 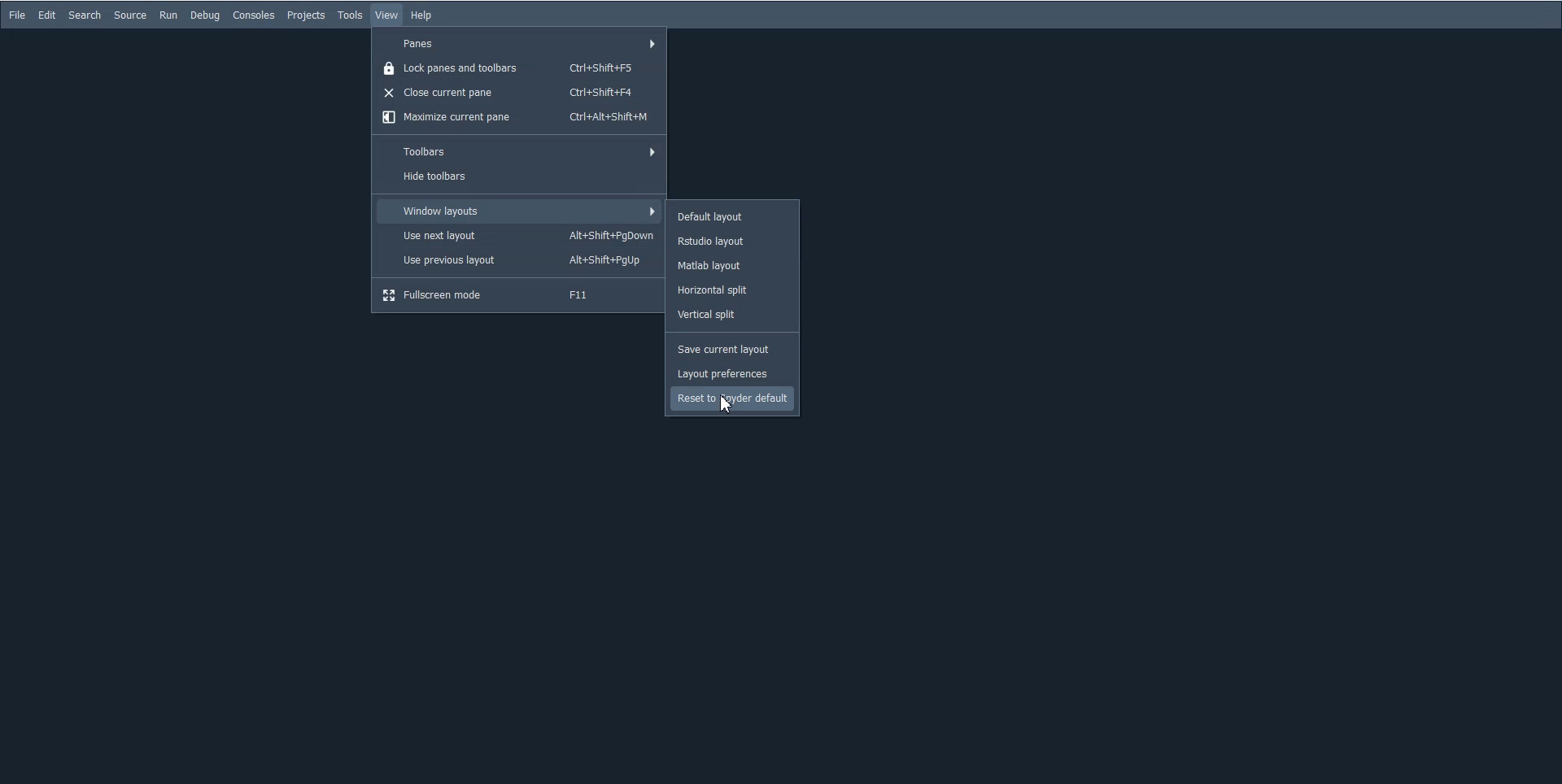 I want to click on Toolbars, so click(x=520, y=150).